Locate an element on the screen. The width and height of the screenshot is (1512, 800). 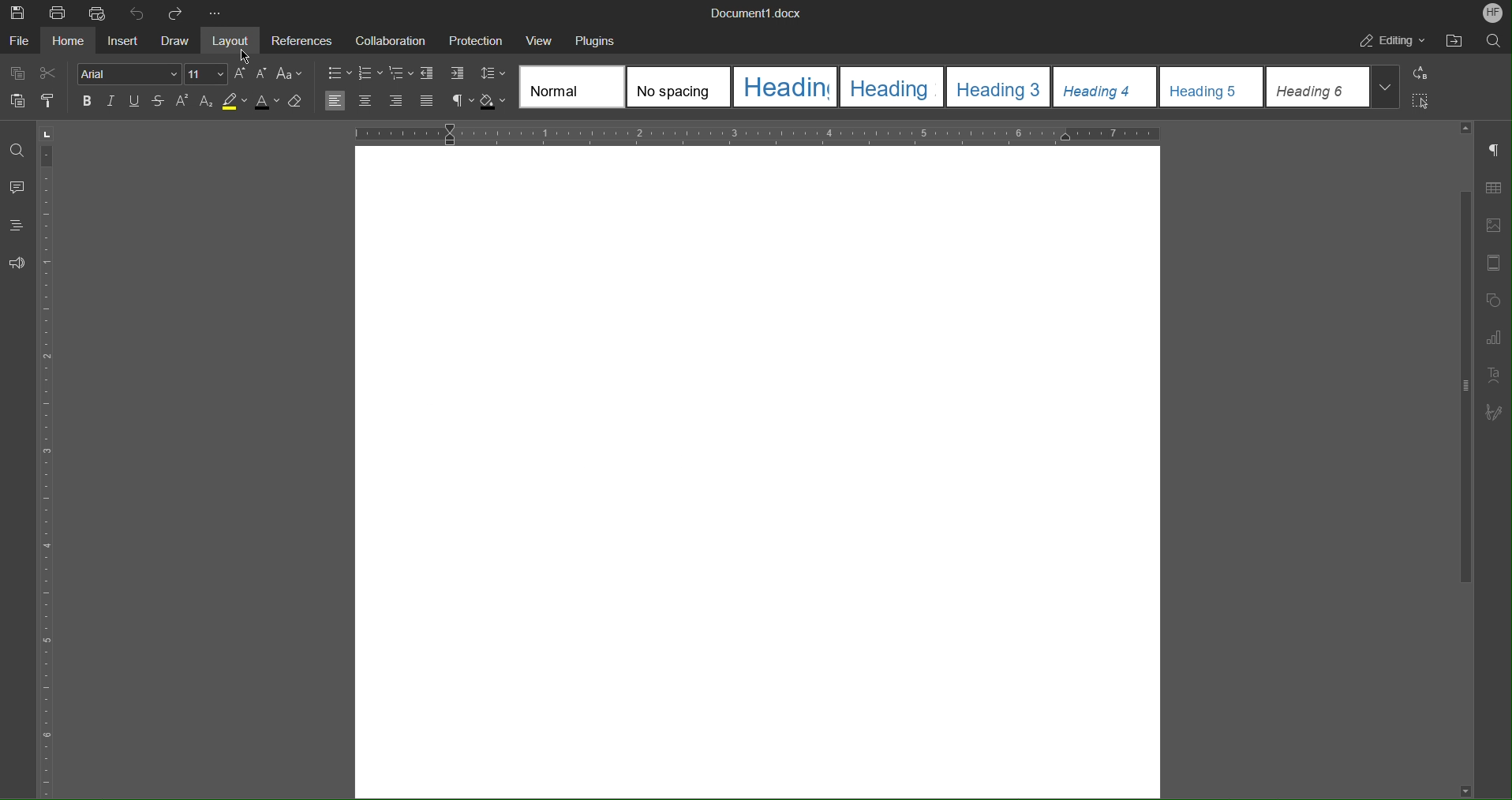
Graph Settings is located at coordinates (1493, 341).